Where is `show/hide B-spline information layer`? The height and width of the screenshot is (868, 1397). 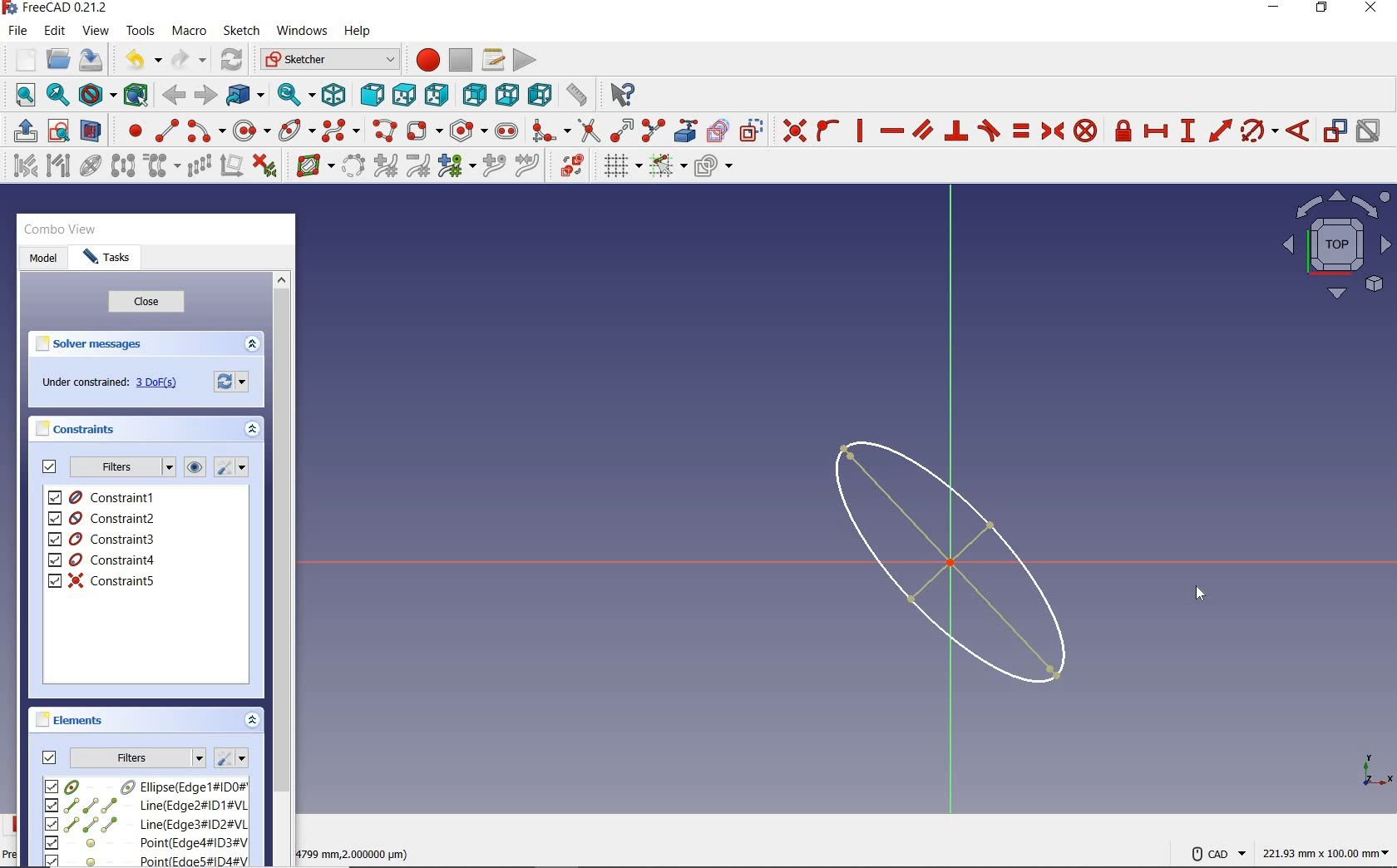
show/hide B-spline information layer is located at coordinates (311, 165).